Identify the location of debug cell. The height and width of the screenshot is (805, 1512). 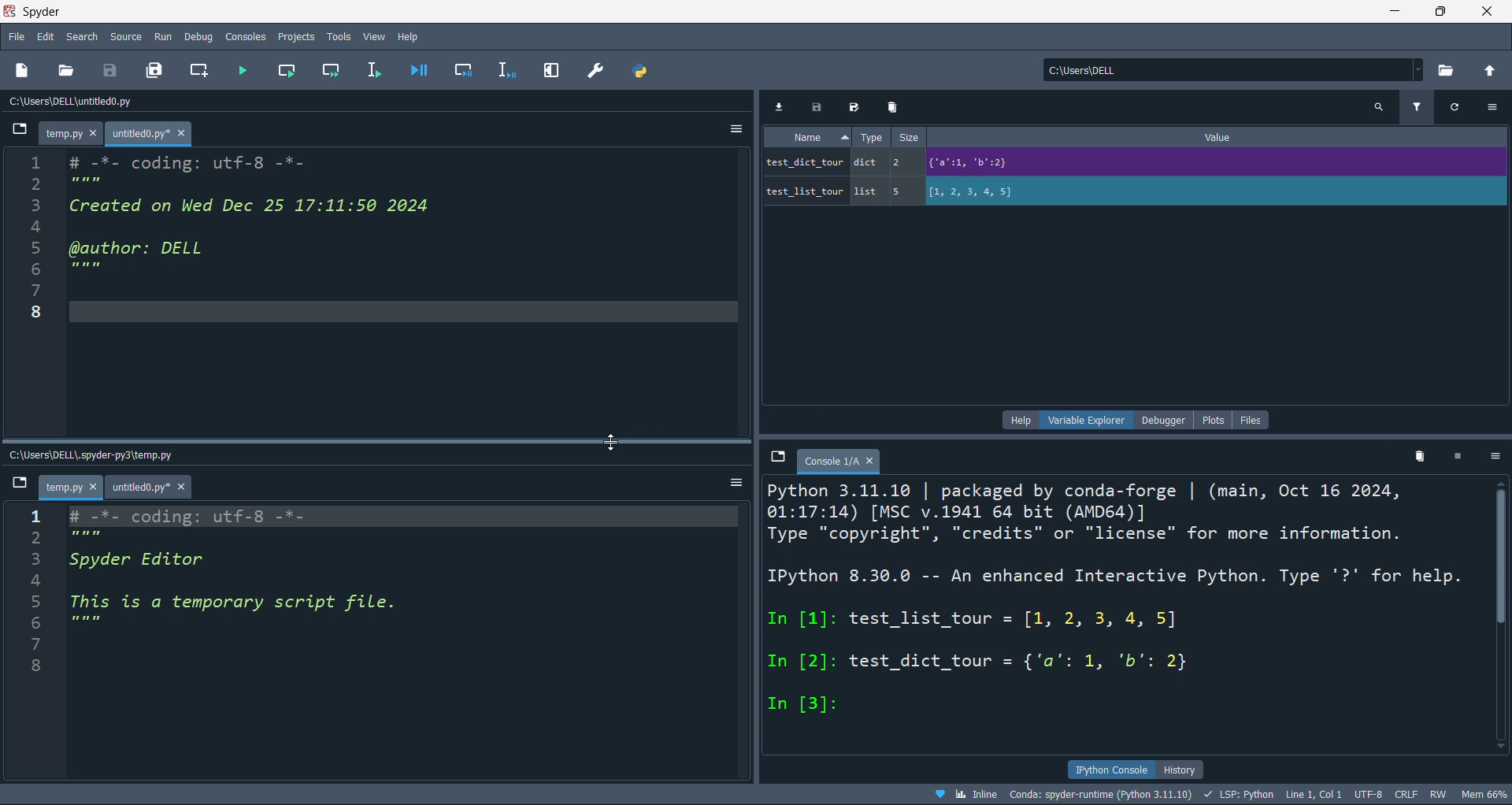
(463, 70).